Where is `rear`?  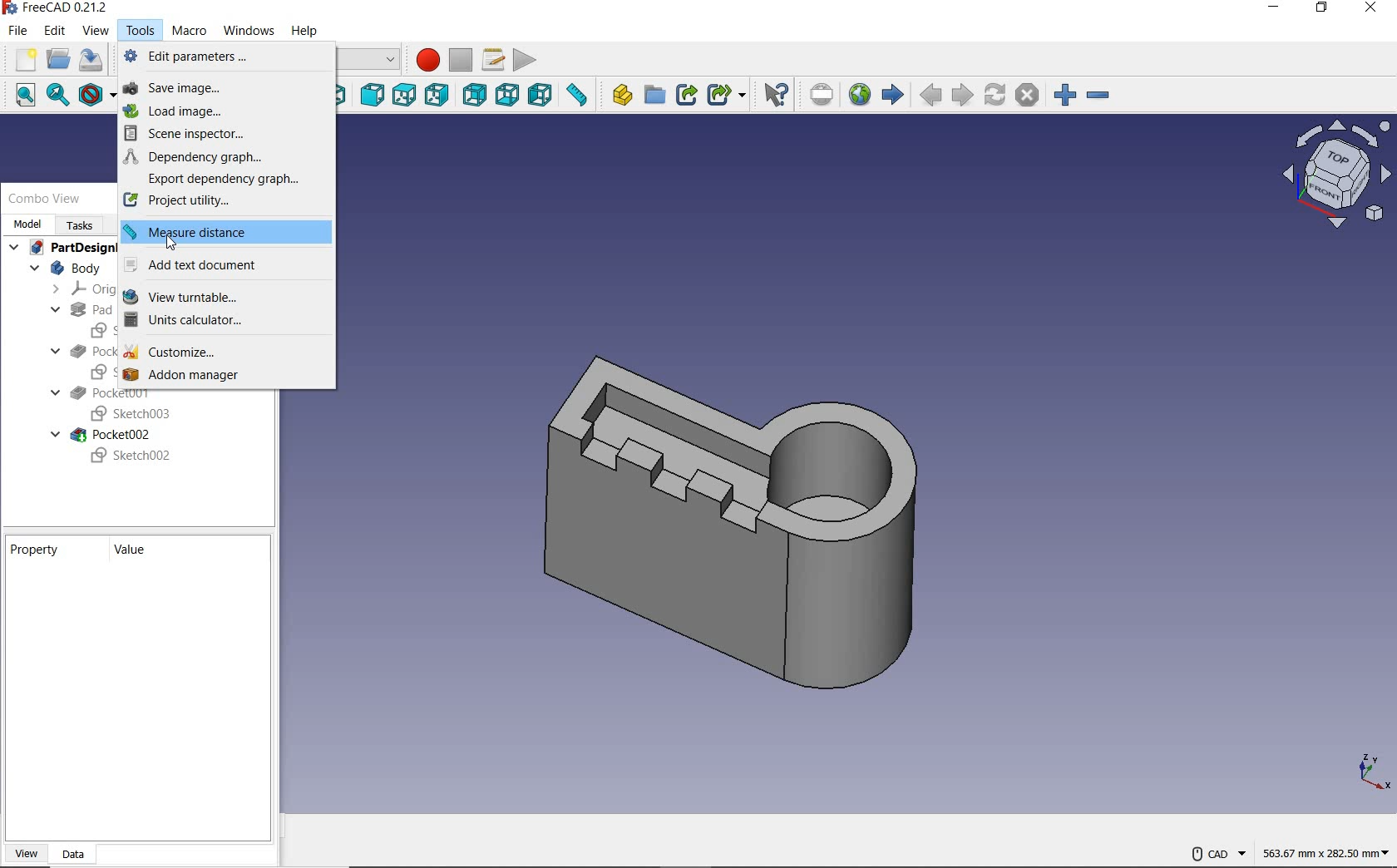
rear is located at coordinates (472, 97).